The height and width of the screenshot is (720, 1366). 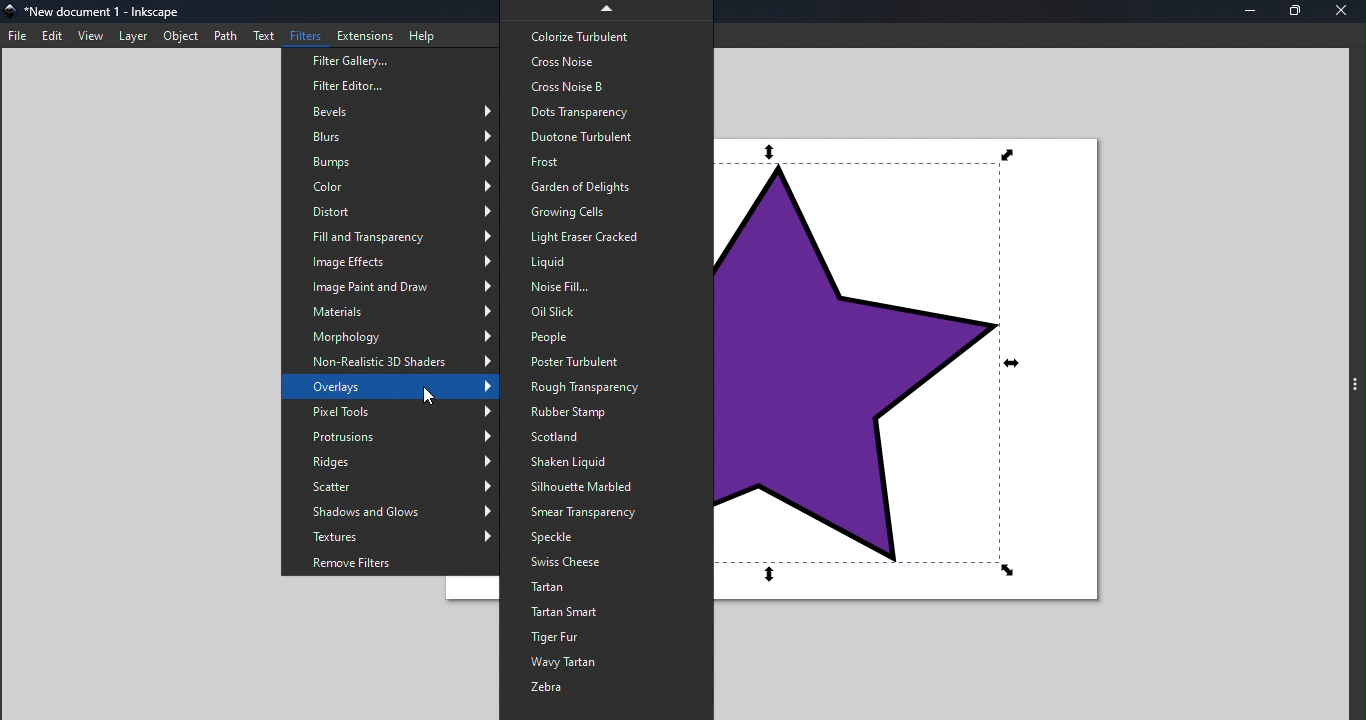 I want to click on Poster turbulent, so click(x=605, y=363).